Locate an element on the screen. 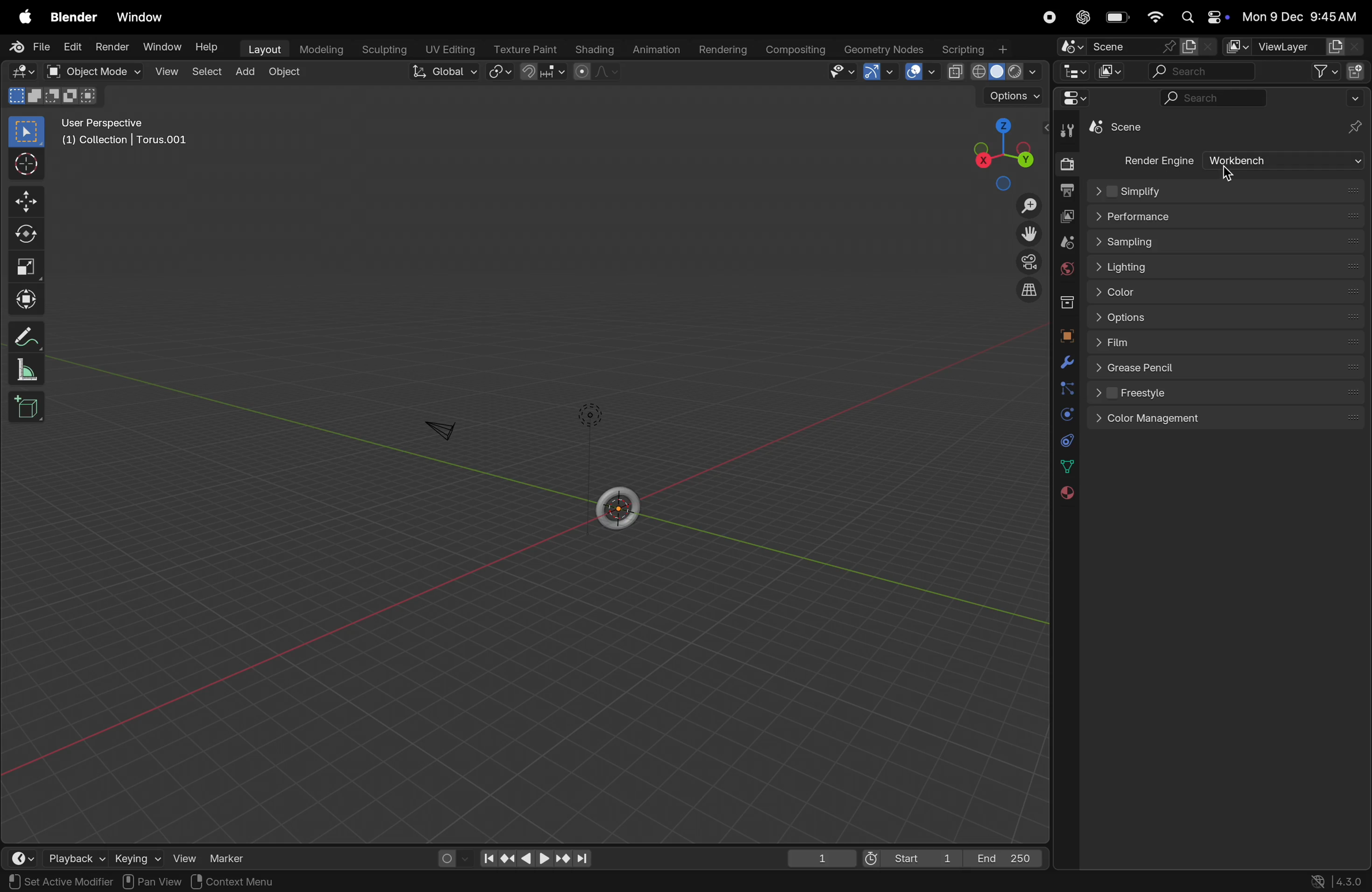 The height and width of the screenshot is (892, 1372). object mode is located at coordinates (95, 72).